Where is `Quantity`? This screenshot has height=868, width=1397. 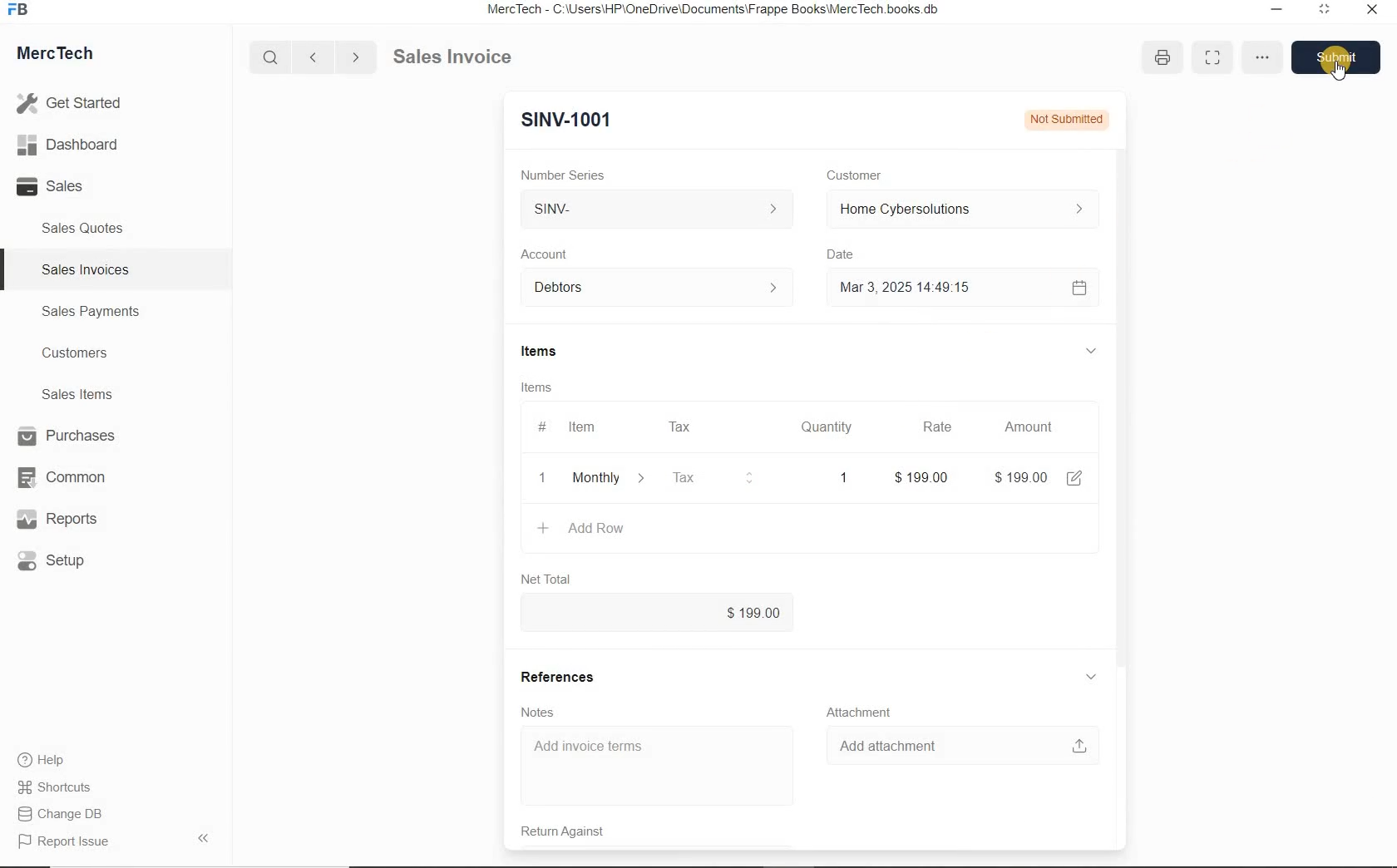
Quantity is located at coordinates (822, 430).